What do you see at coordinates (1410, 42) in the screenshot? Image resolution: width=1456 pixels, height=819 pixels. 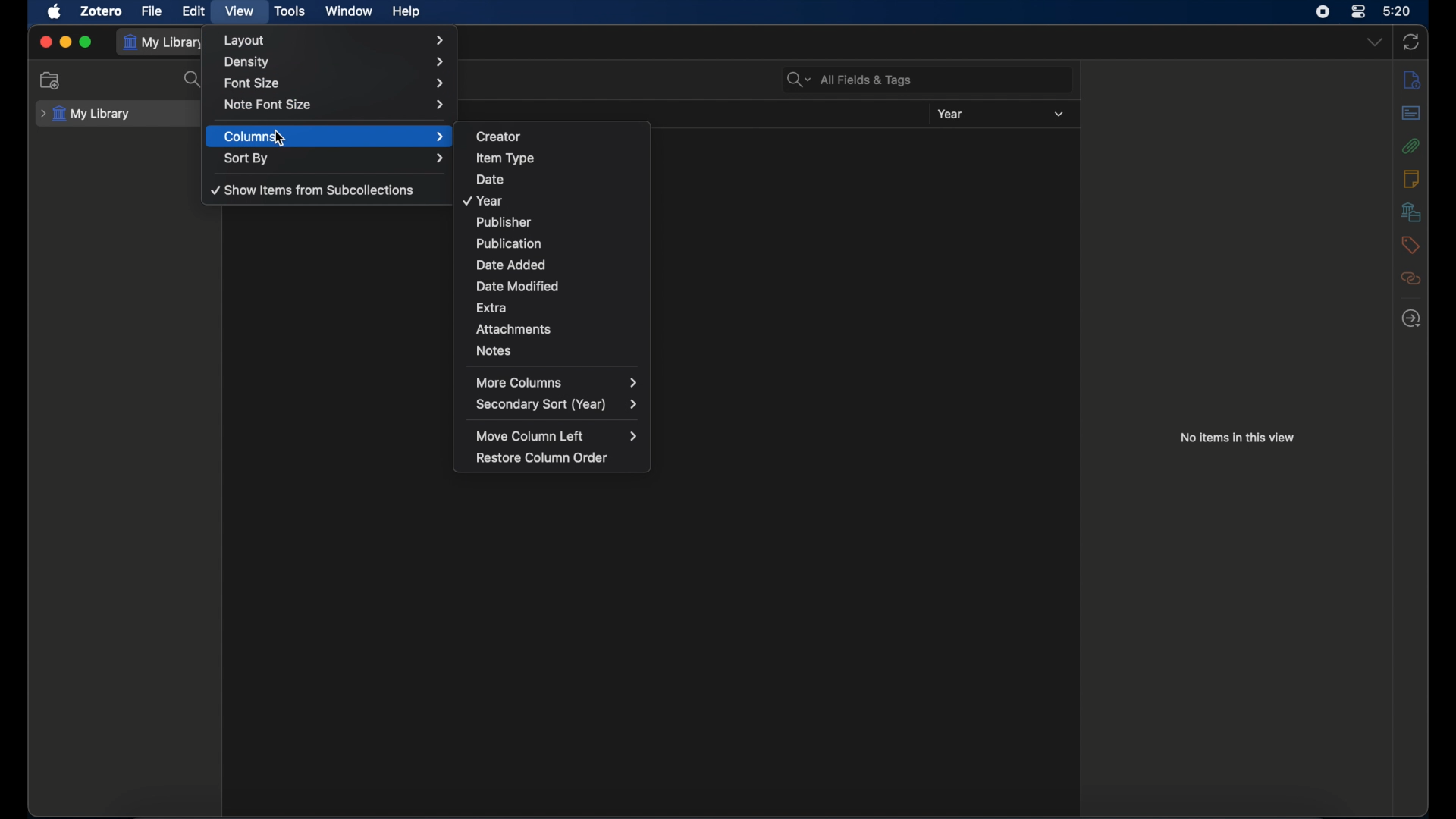 I see `sync` at bounding box center [1410, 42].